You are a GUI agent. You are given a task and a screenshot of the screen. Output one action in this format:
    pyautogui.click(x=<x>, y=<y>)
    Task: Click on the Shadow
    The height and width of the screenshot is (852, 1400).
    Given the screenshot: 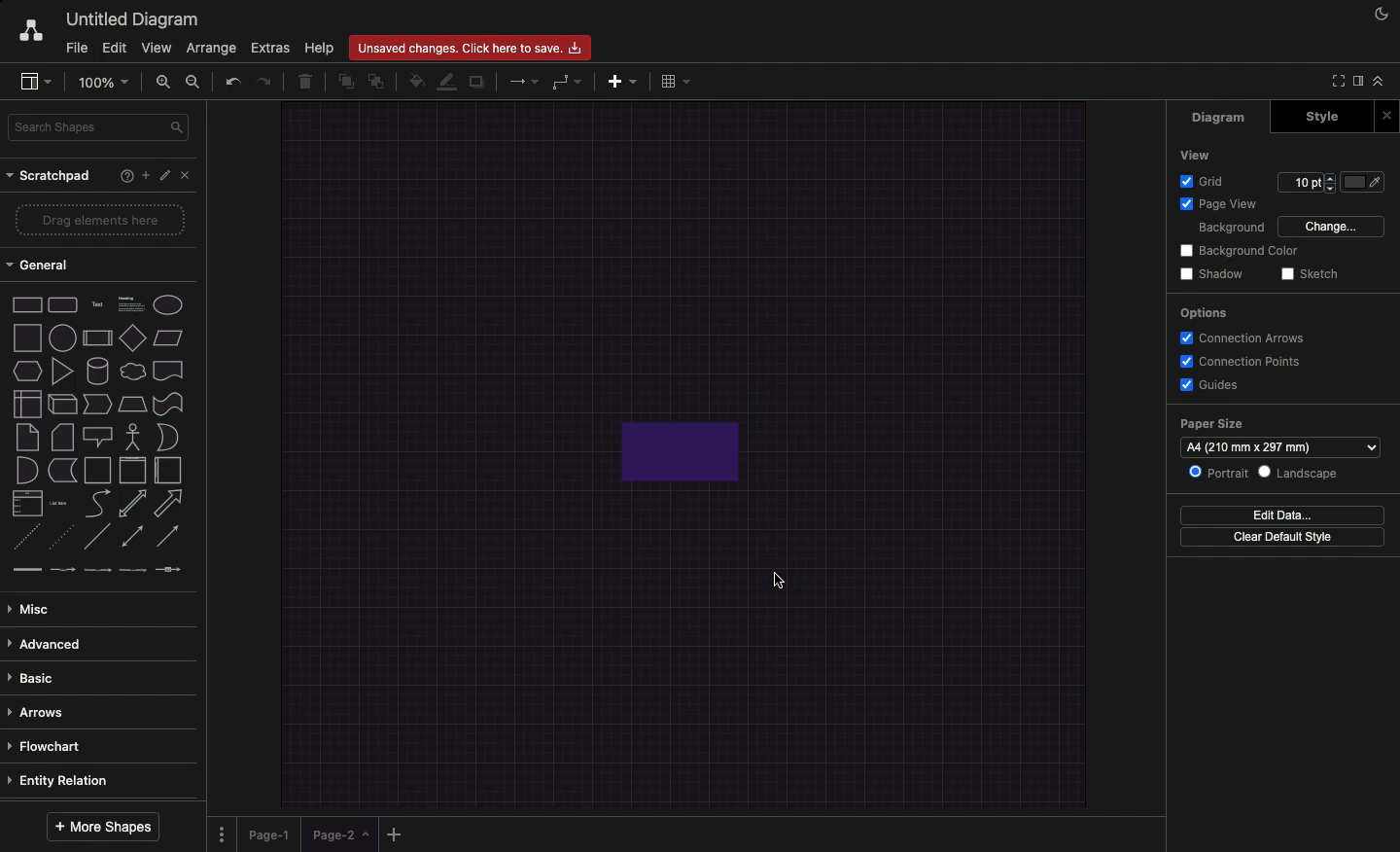 What is the action you would take?
    pyautogui.click(x=1214, y=274)
    